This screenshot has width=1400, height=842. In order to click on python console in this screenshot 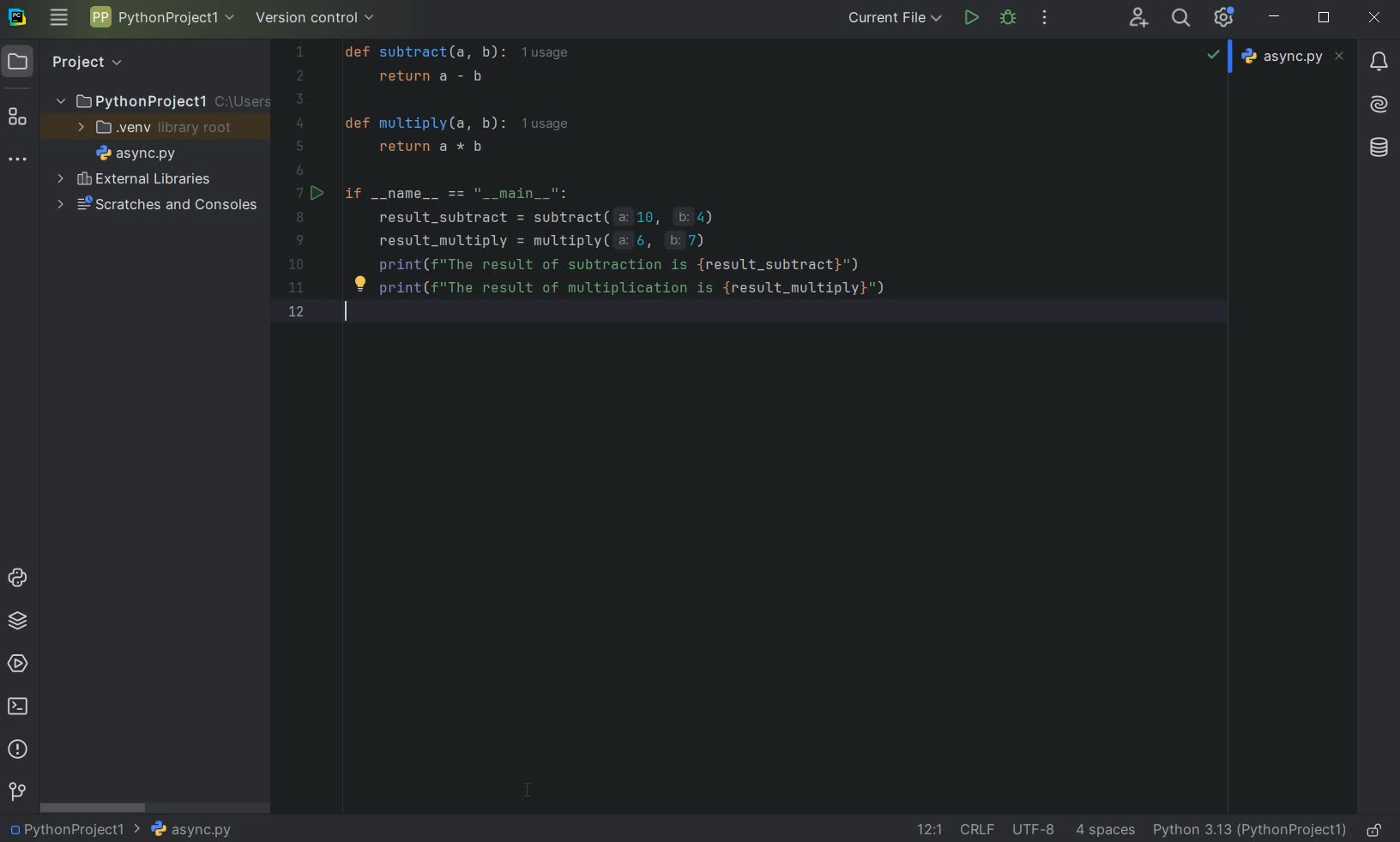, I will do `click(21, 579)`.